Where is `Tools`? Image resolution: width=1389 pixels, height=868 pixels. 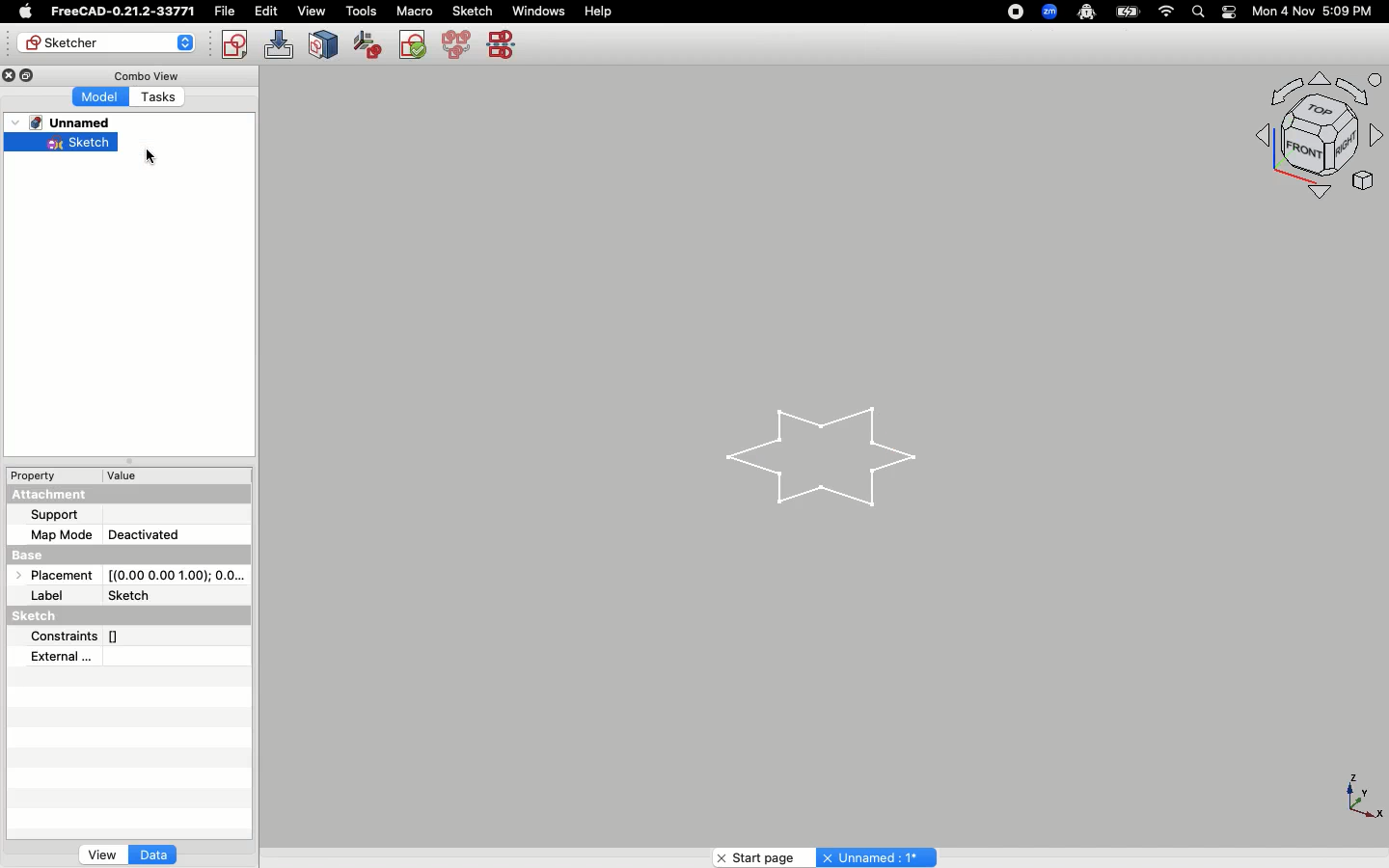 Tools is located at coordinates (361, 13).